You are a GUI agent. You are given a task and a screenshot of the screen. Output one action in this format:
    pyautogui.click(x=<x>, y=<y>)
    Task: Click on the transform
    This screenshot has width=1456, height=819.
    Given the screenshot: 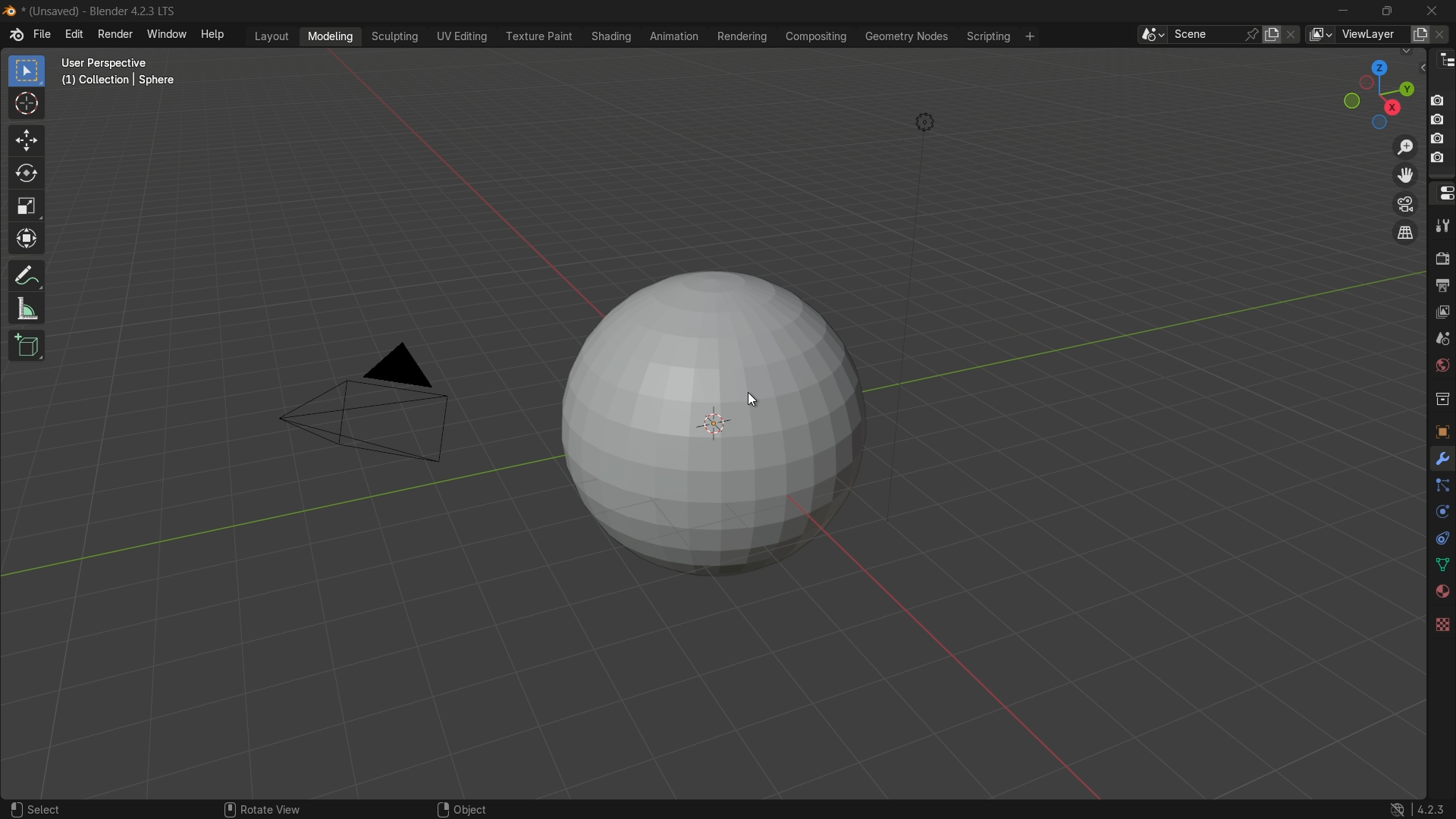 What is the action you would take?
    pyautogui.click(x=27, y=240)
    